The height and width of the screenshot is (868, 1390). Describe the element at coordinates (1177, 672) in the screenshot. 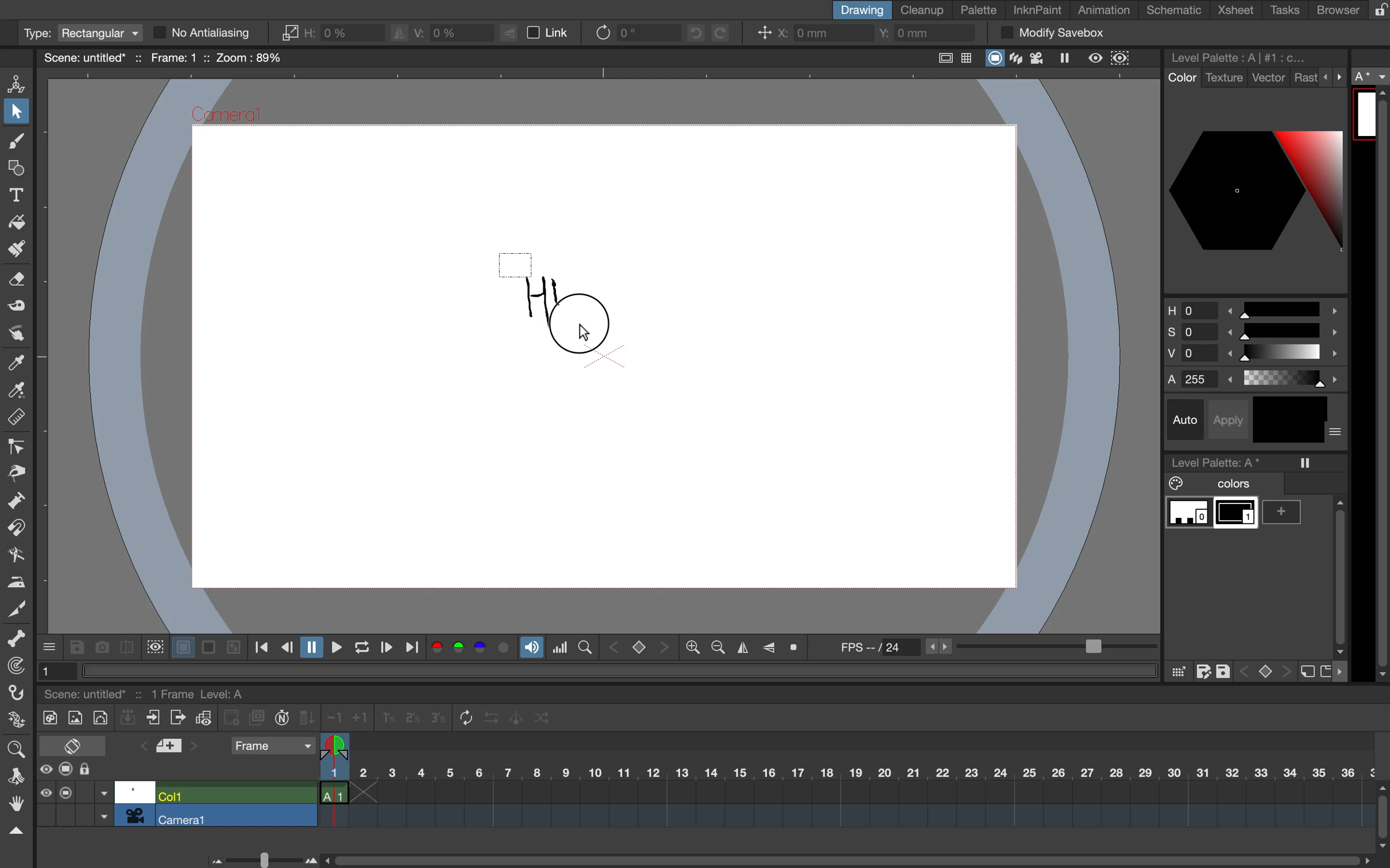

I see `click and drag color palaette` at that location.